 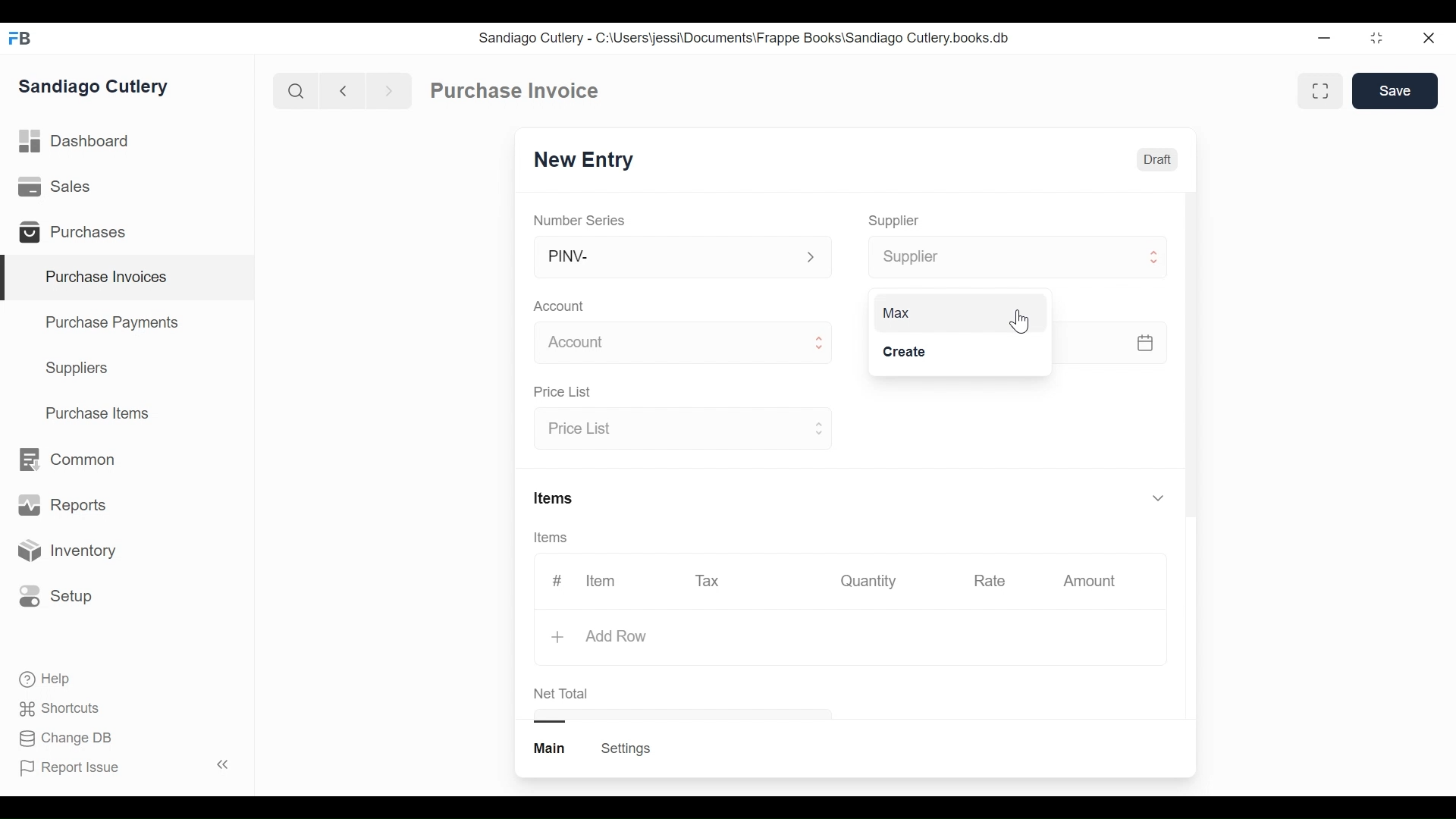 I want to click on Change DB, so click(x=68, y=739).